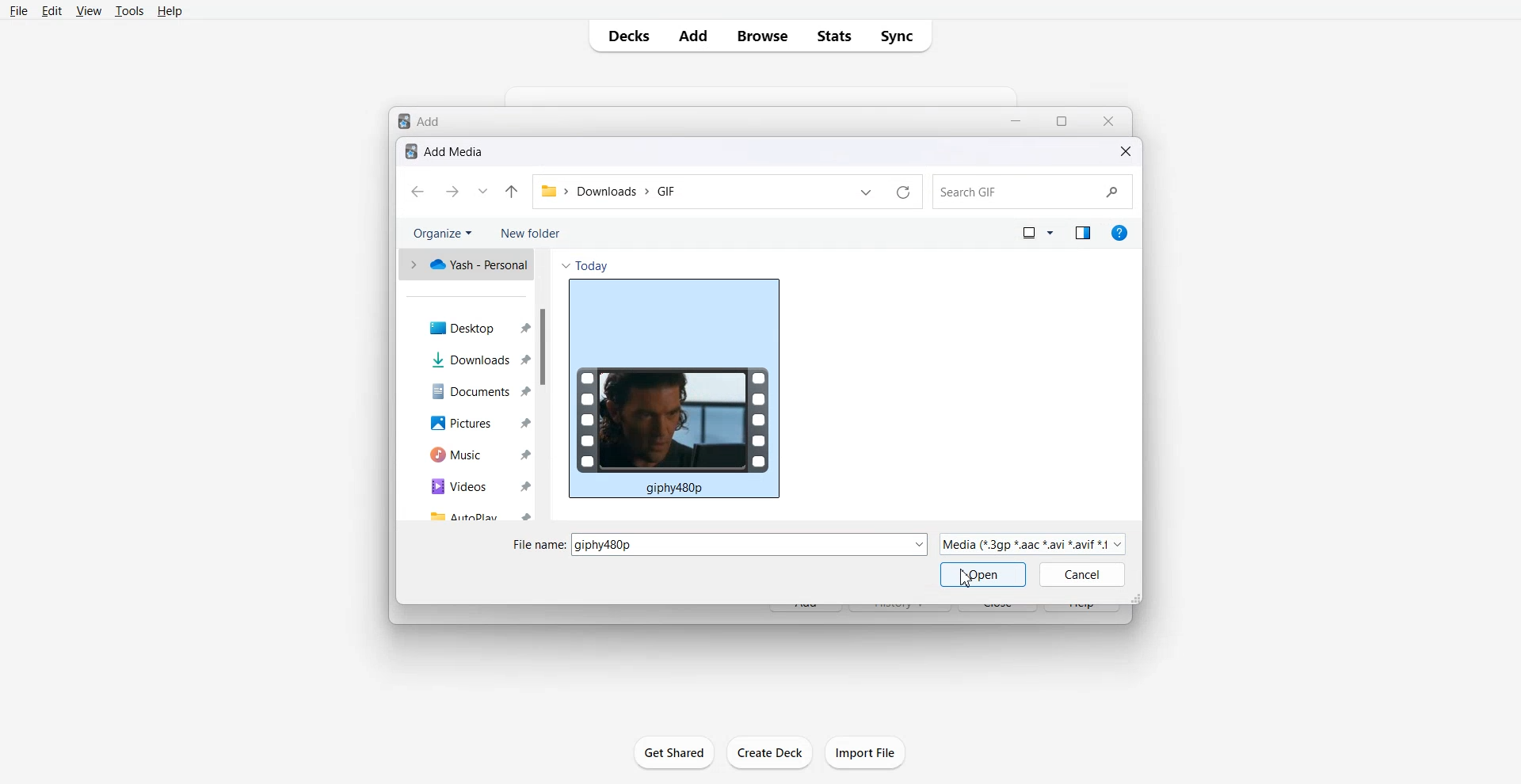 This screenshot has height=784, width=1521. Describe the element at coordinates (1082, 575) in the screenshot. I see `Cancel` at that location.